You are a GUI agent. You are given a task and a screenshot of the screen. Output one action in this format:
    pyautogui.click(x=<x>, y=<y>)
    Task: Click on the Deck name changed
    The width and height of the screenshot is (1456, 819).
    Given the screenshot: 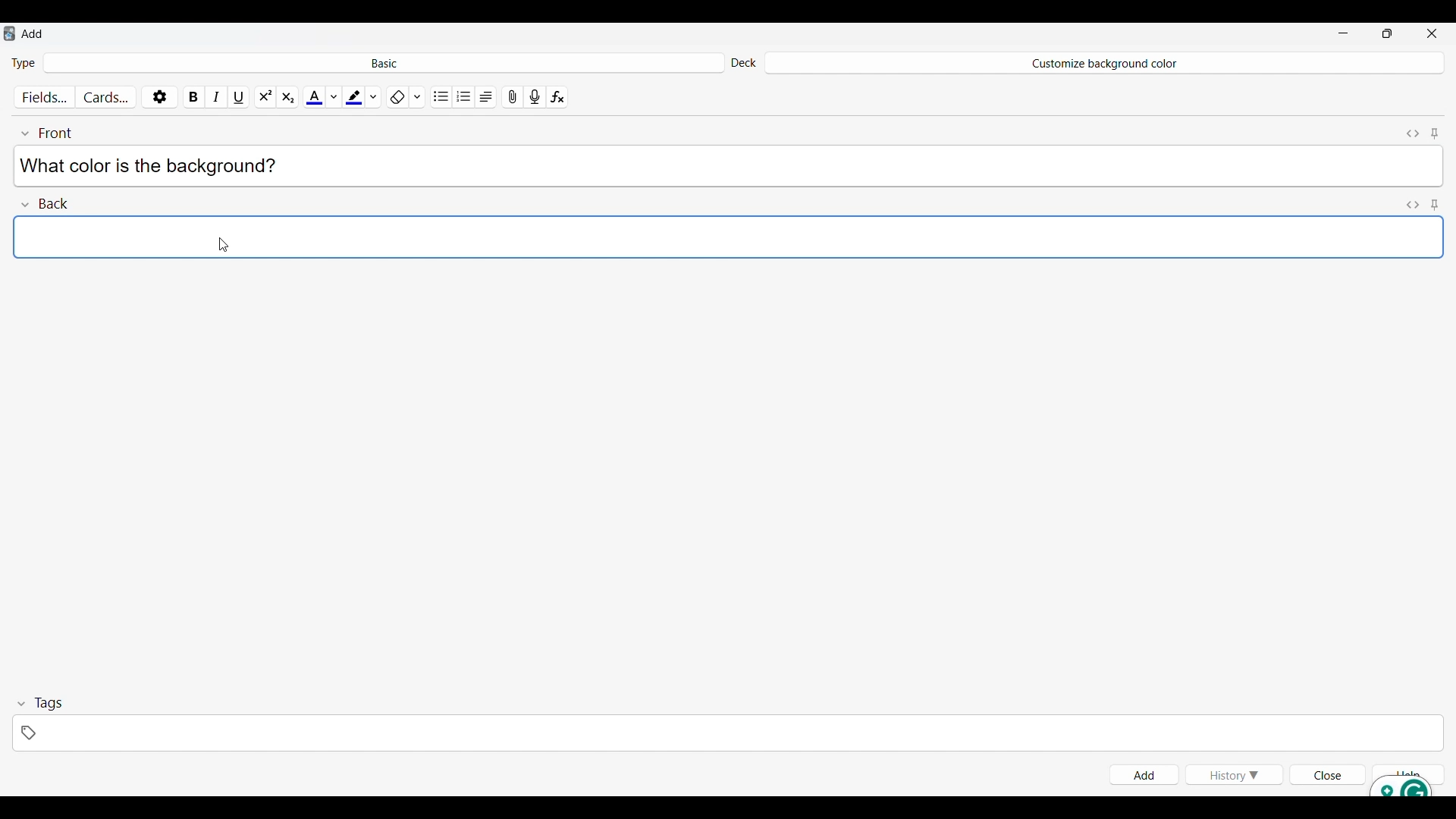 What is the action you would take?
    pyautogui.click(x=1103, y=63)
    